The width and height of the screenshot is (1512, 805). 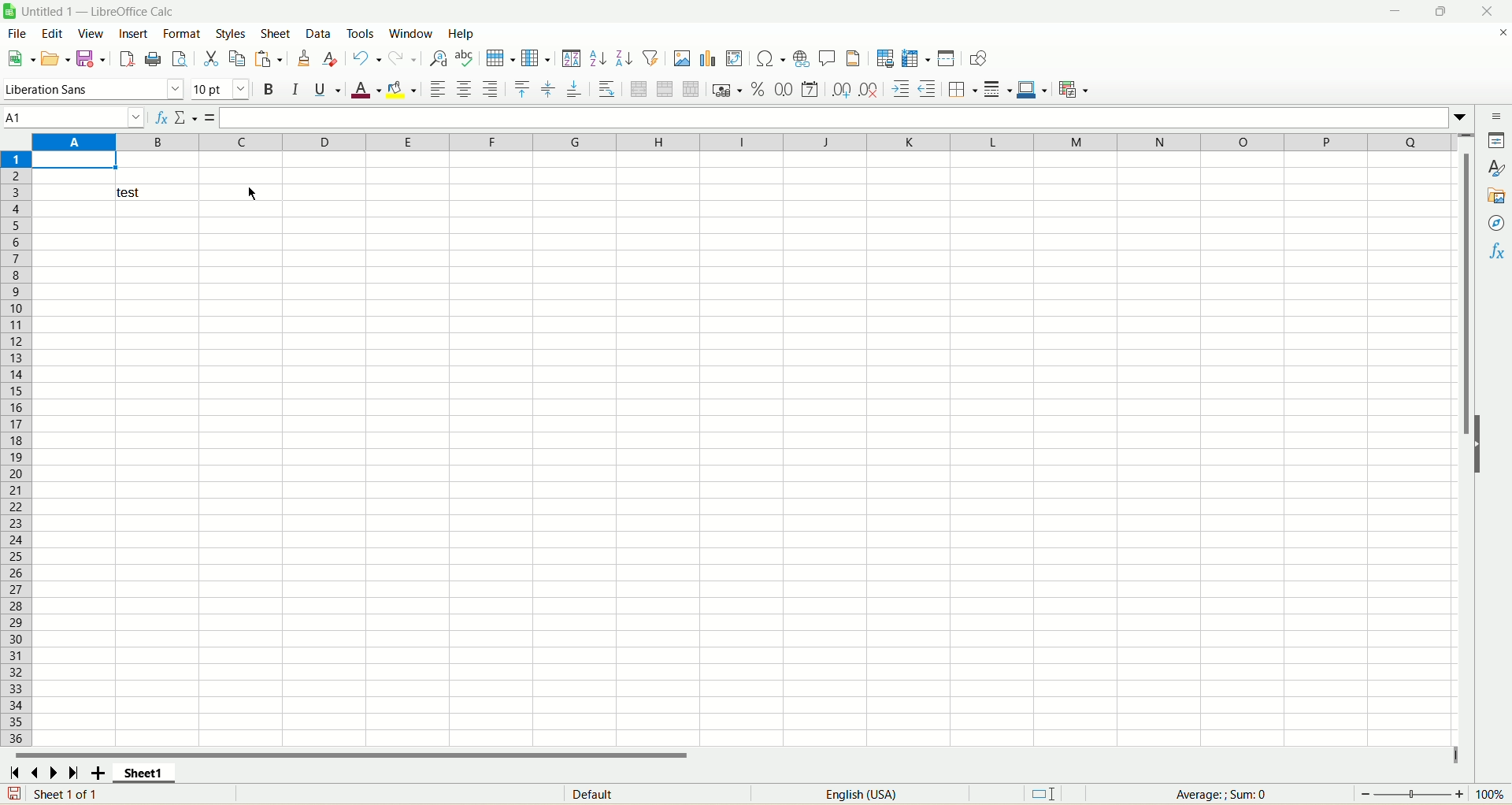 What do you see at coordinates (928, 89) in the screenshot?
I see `Decrease indent` at bounding box center [928, 89].